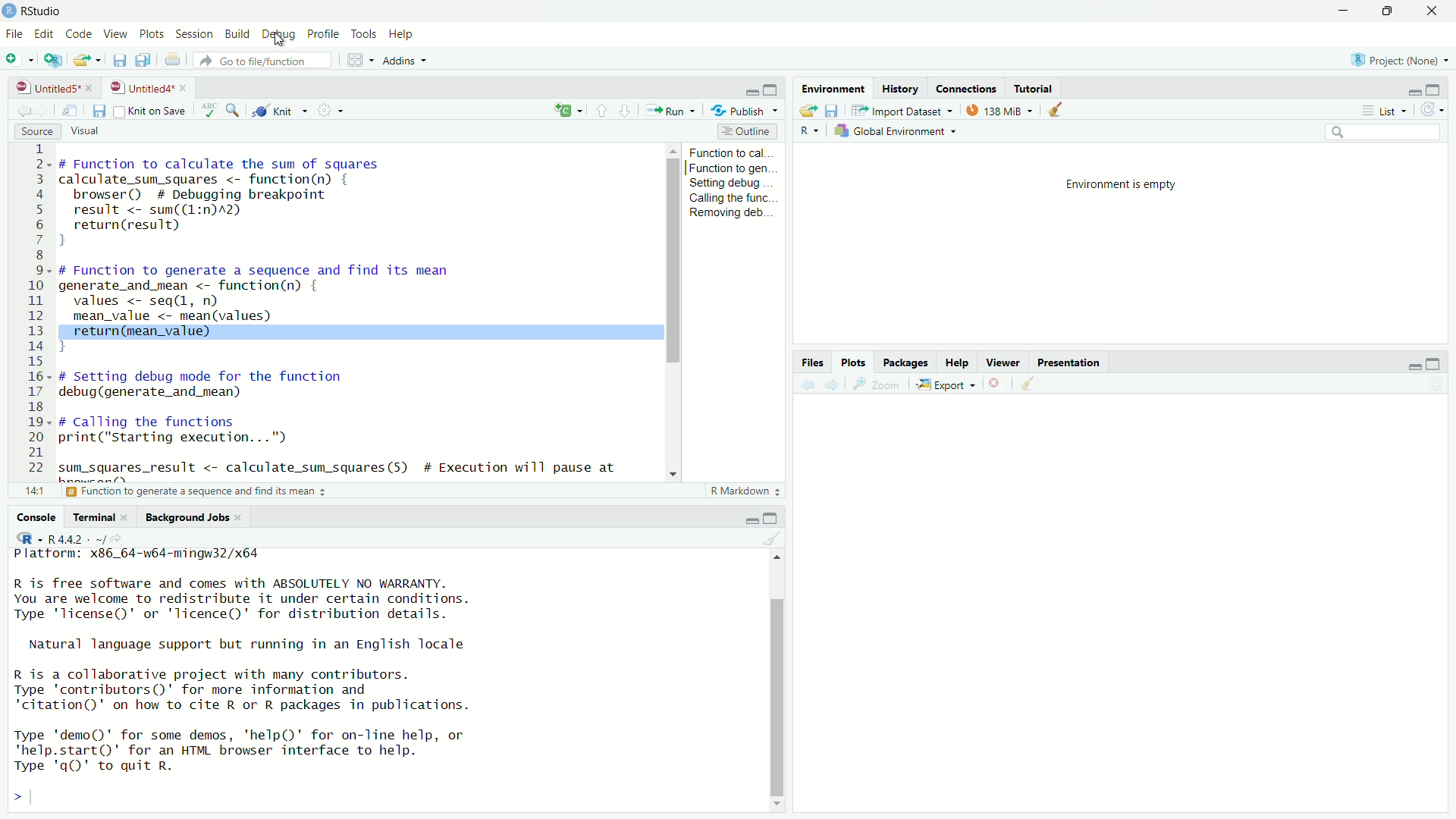  What do you see at coordinates (671, 149) in the screenshot?
I see `move up` at bounding box center [671, 149].